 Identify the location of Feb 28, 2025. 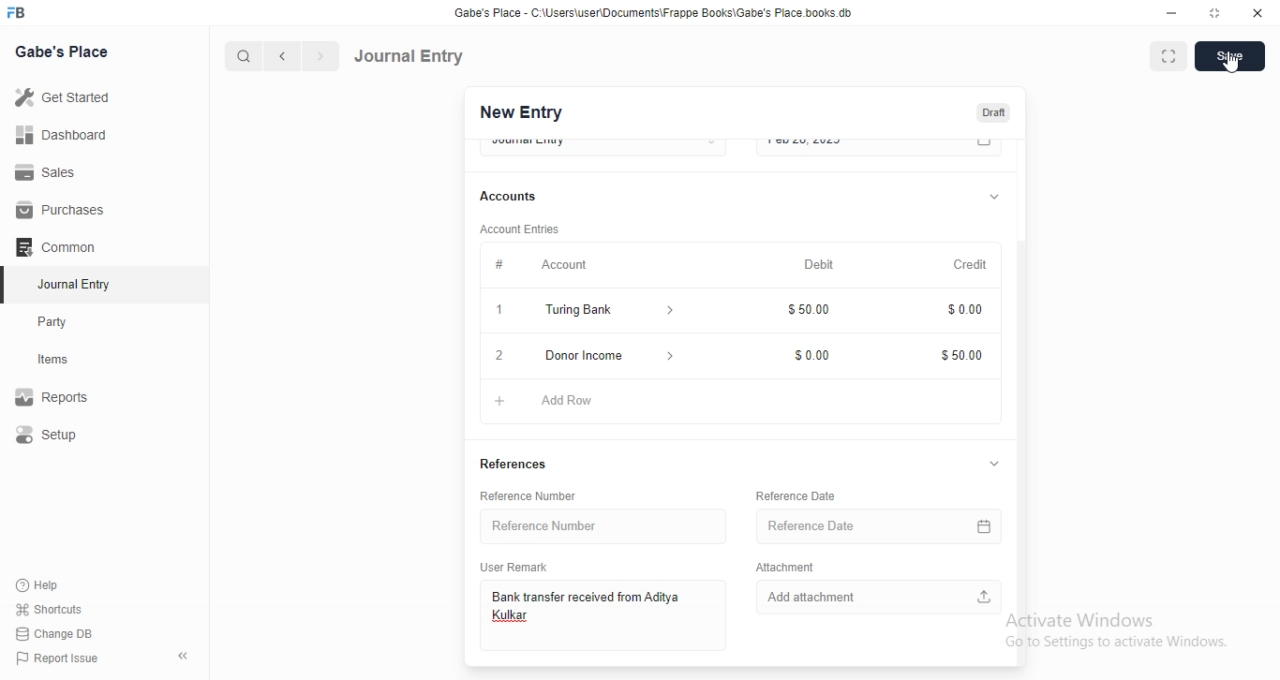
(860, 146).